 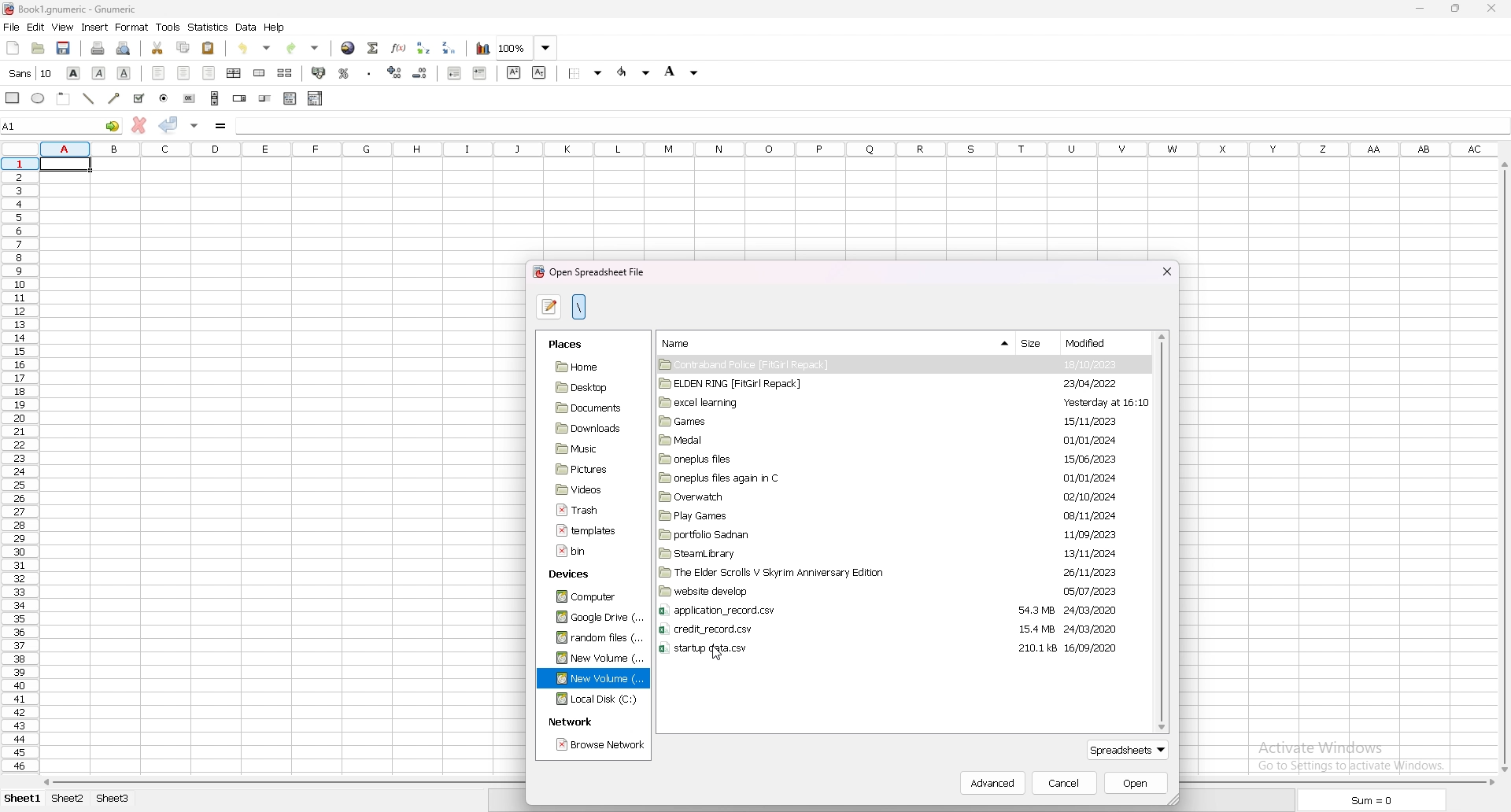 What do you see at coordinates (190, 99) in the screenshot?
I see `button` at bounding box center [190, 99].